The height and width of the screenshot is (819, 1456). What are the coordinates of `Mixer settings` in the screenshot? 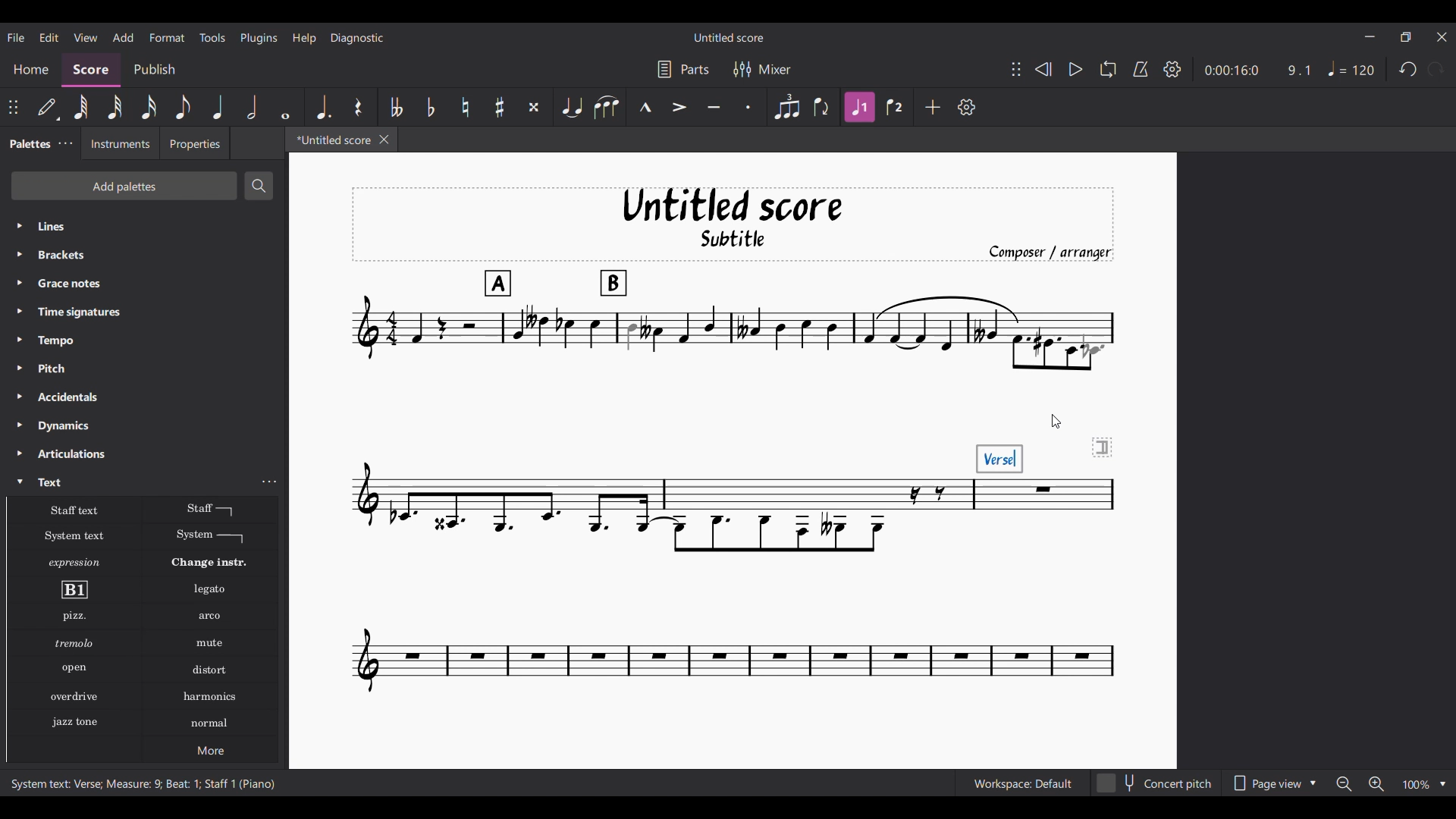 It's located at (762, 70).